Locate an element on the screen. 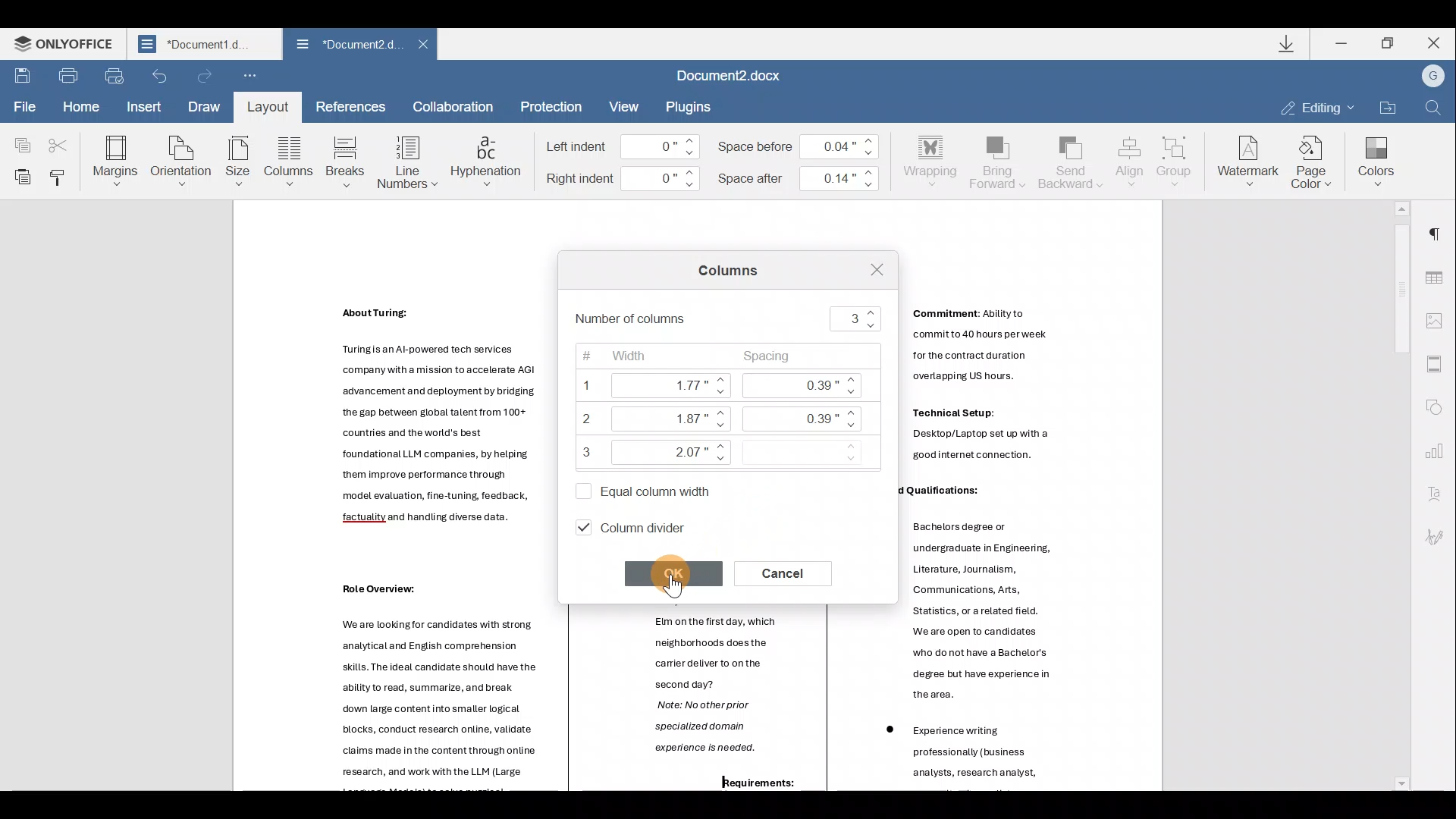 The width and height of the screenshot is (1456, 819). Equal column width is located at coordinates (637, 487).